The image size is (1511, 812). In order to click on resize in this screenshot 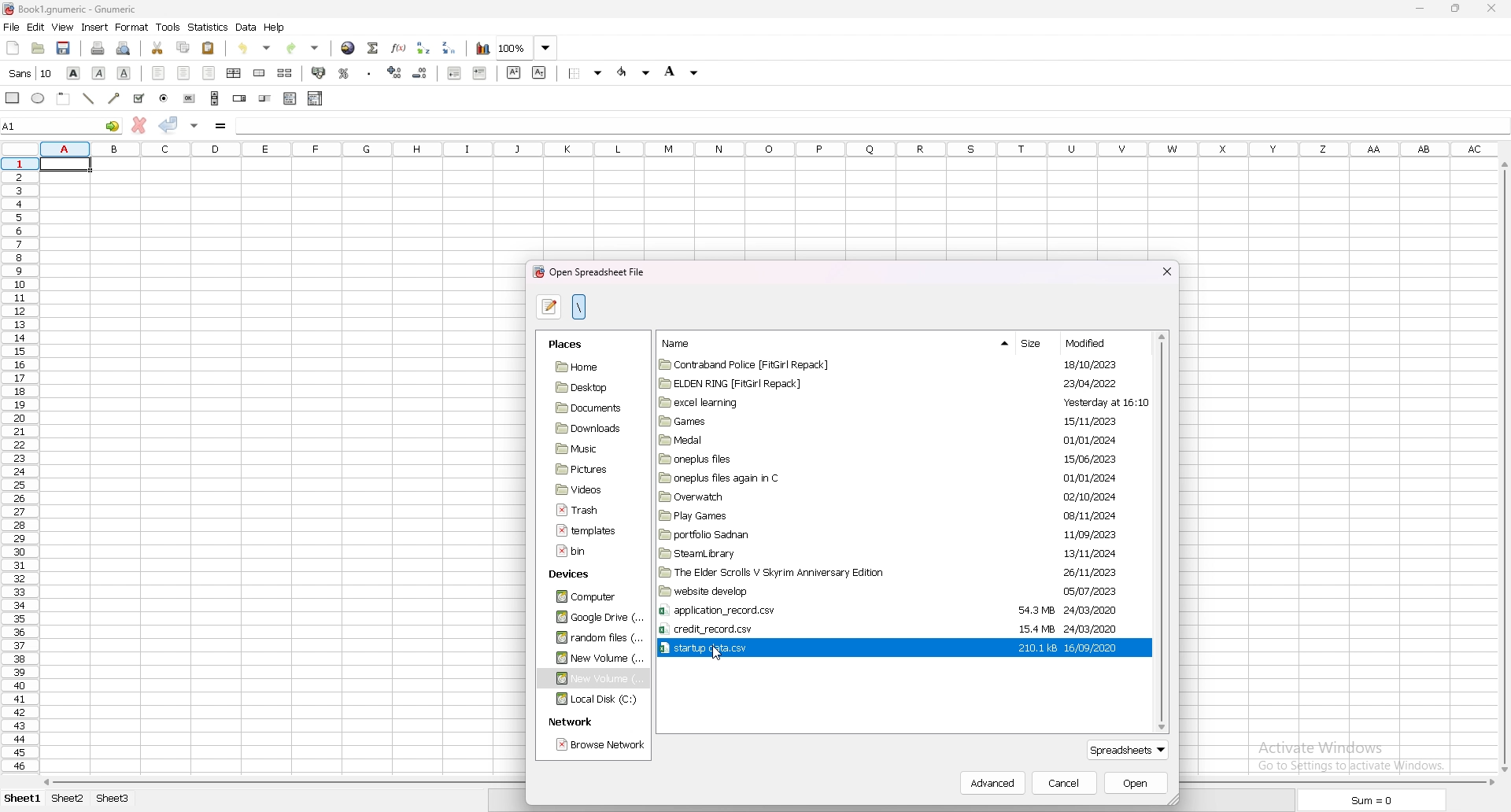, I will do `click(1454, 8)`.